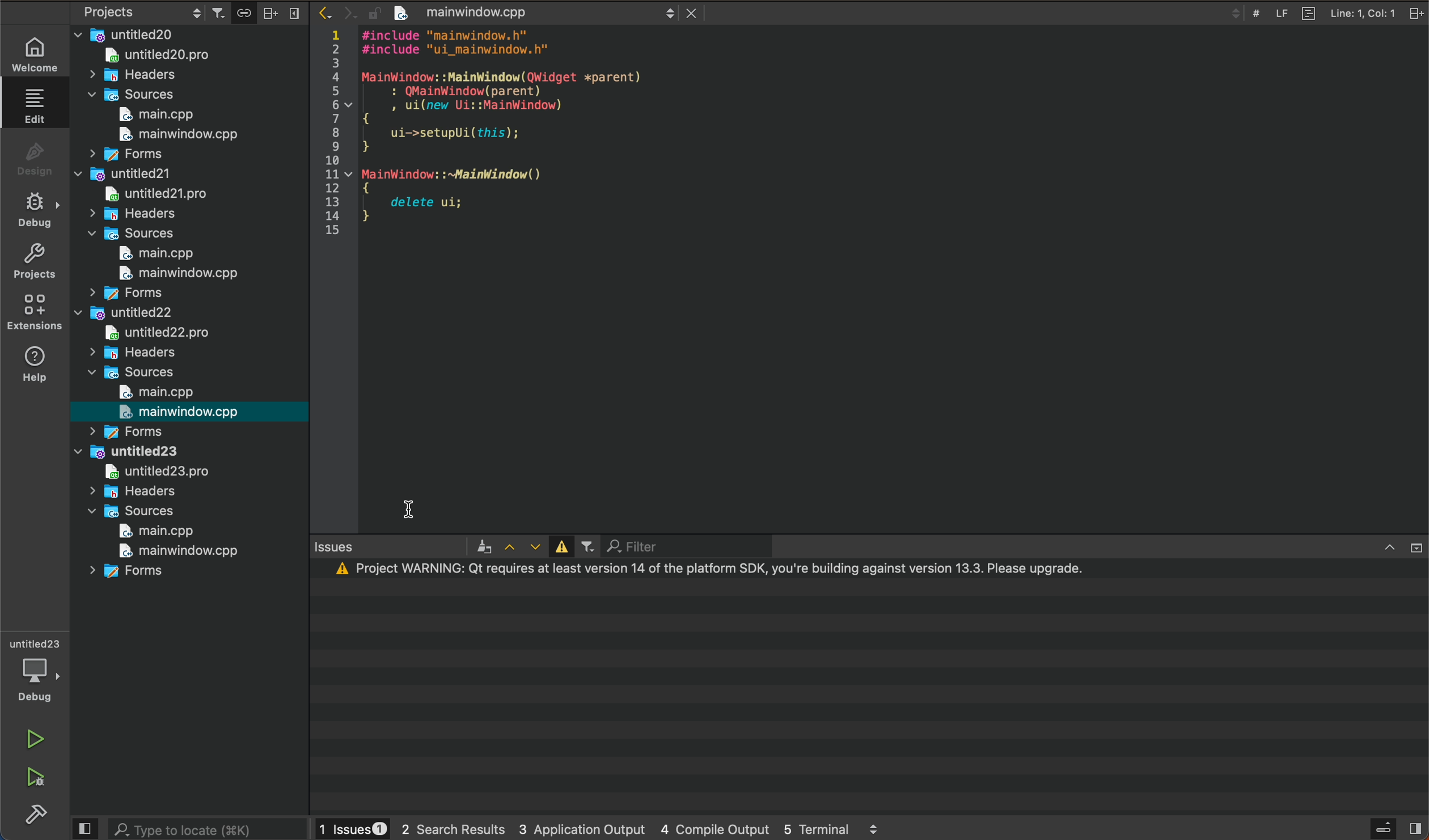  What do you see at coordinates (397, 549) in the screenshot?
I see `issues` at bounding box center [397, 549].